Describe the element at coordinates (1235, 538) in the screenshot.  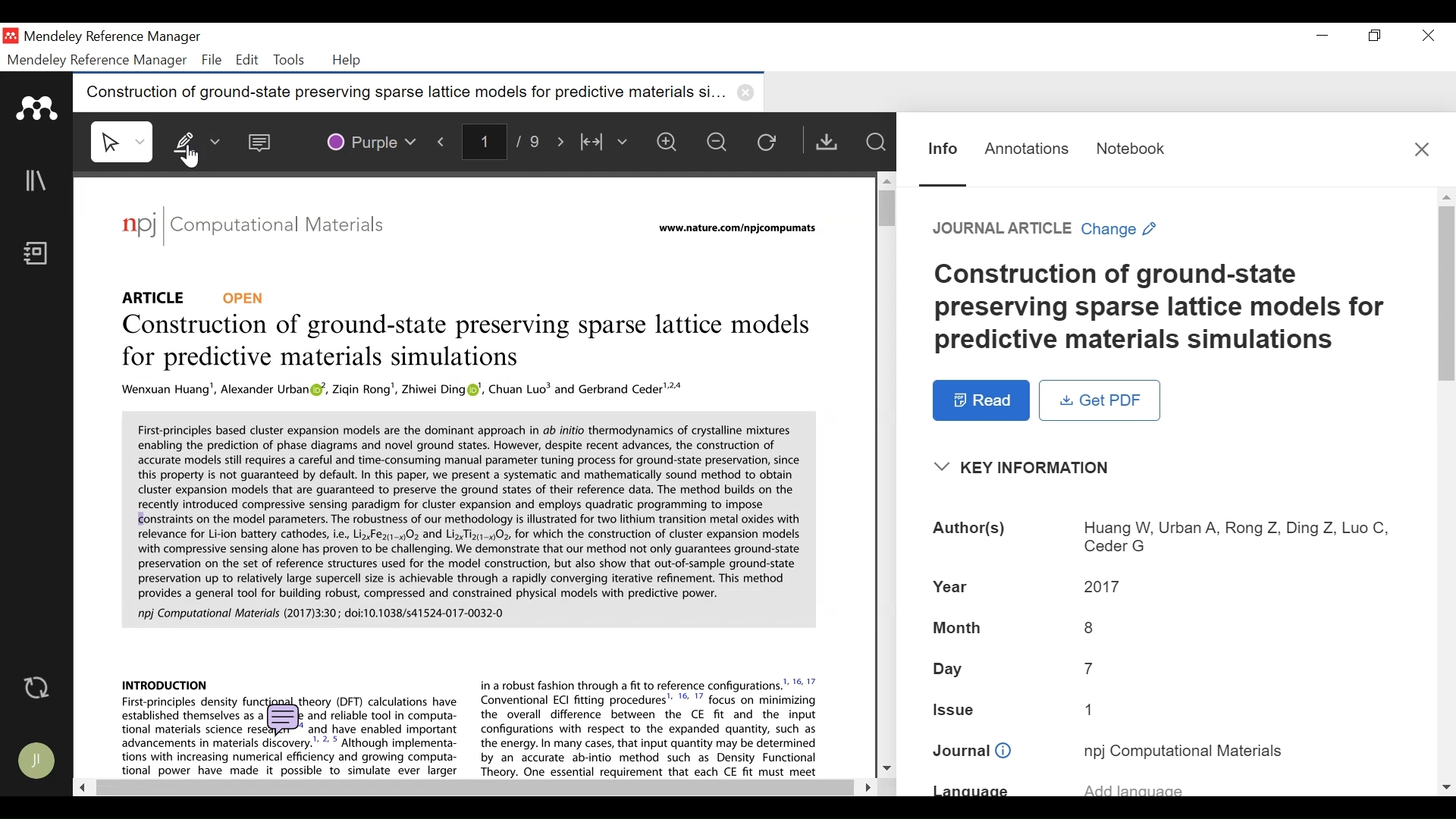
I see `Authors` at that location.